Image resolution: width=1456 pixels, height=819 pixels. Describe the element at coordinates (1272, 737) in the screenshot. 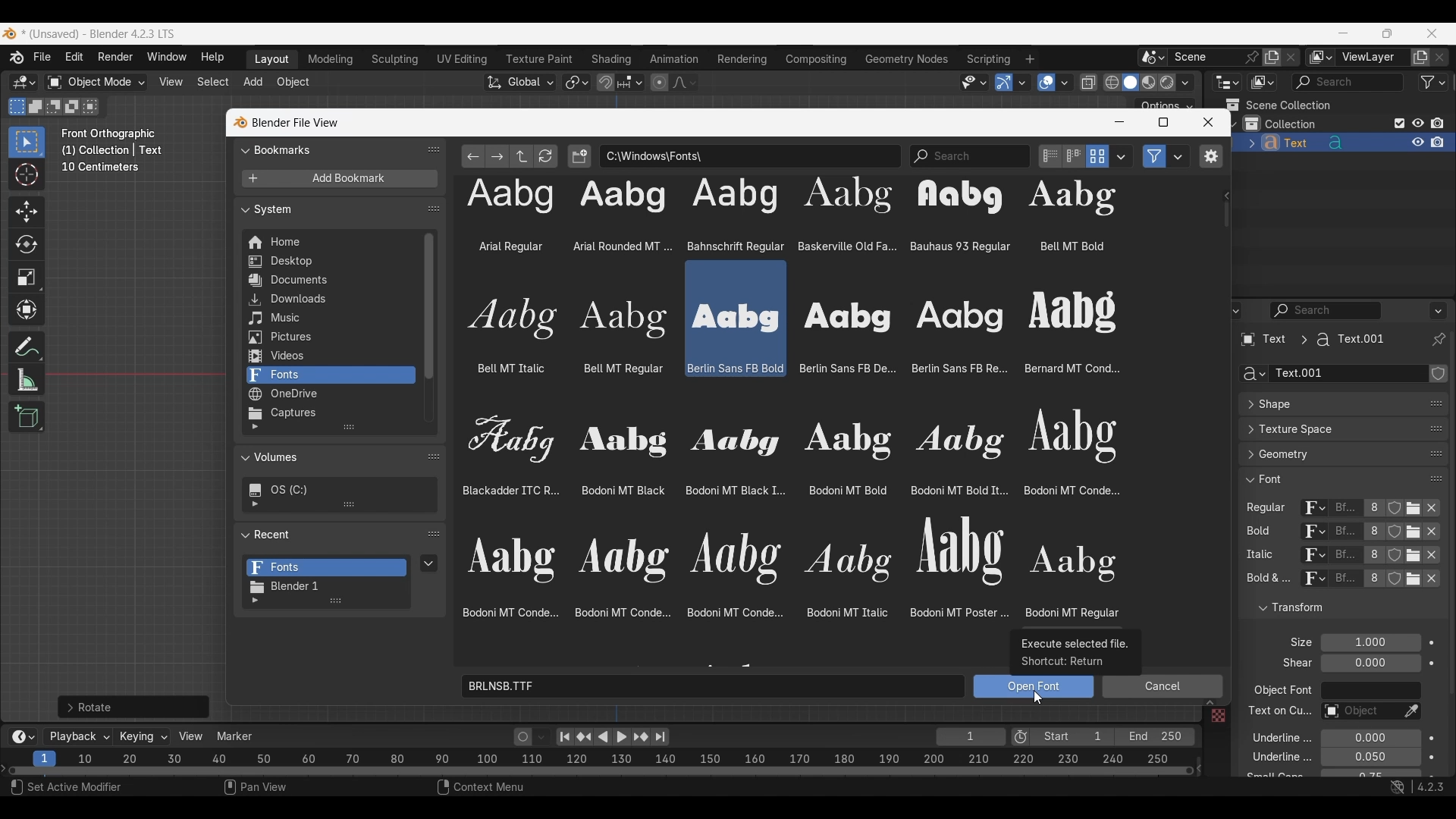

I see `underline` at that location.